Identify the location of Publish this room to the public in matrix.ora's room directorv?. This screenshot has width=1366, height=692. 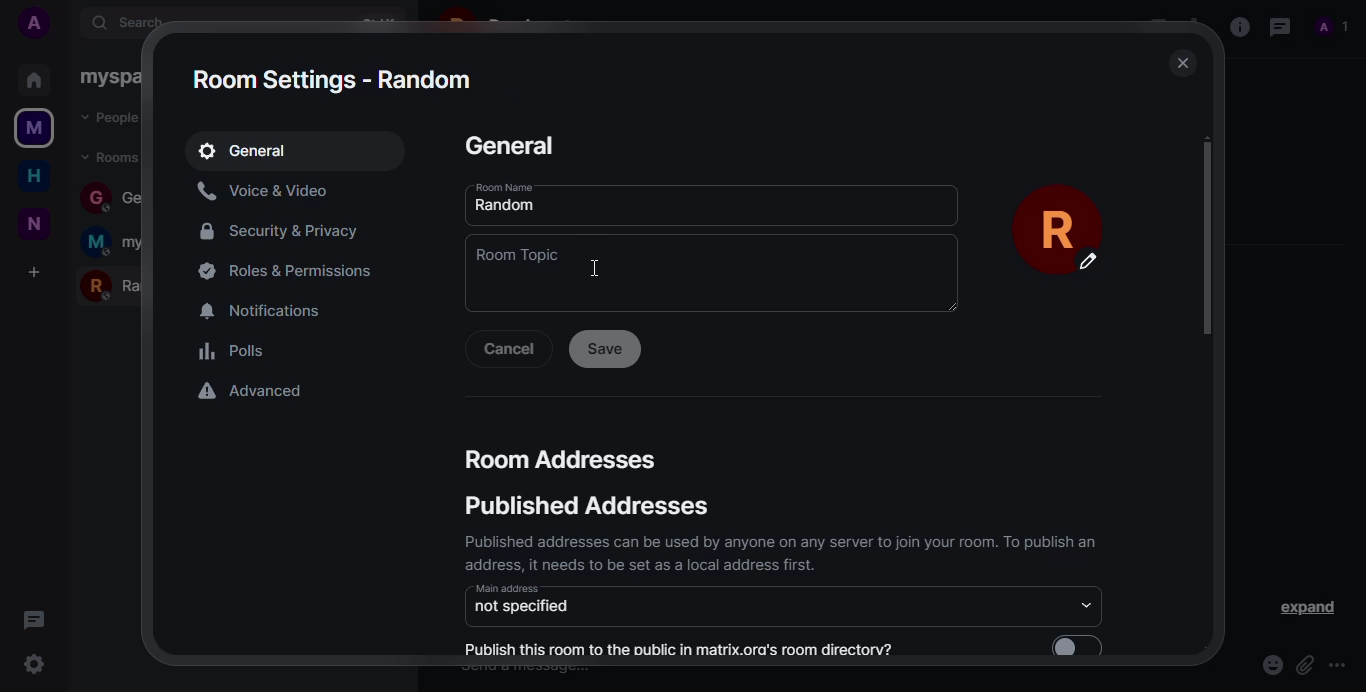
(677, 656).